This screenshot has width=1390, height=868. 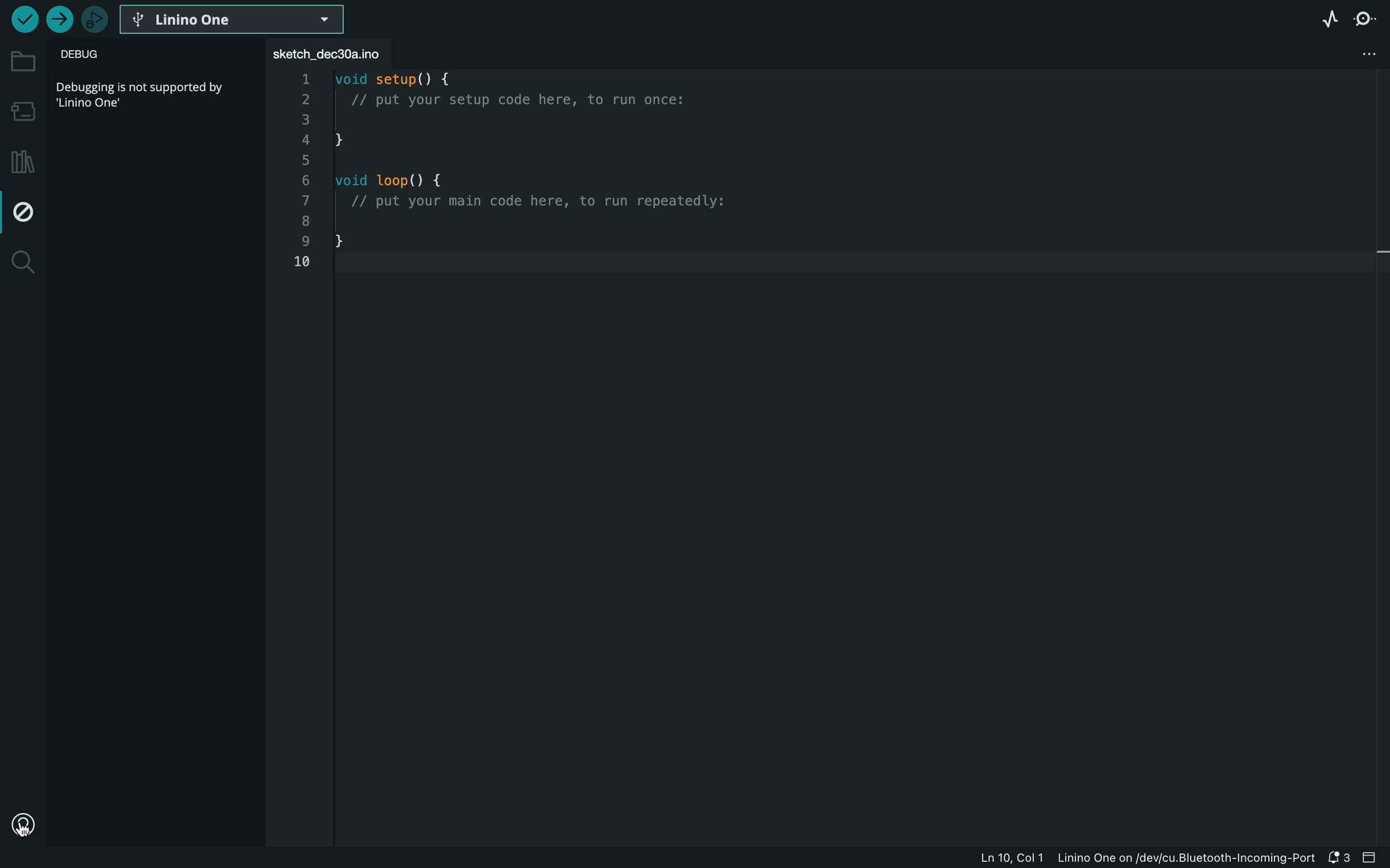 I want to click on debug, so click(x=104, y=56).